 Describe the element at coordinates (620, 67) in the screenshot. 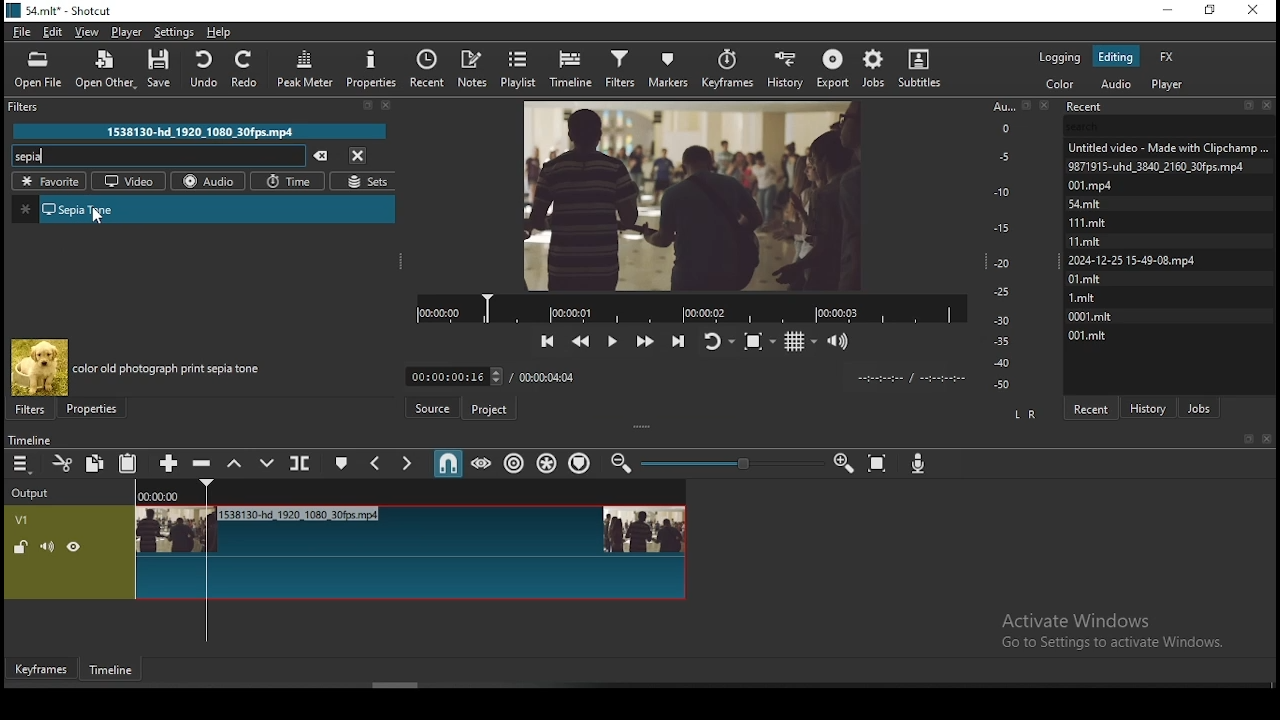

I see `filters` at that location.